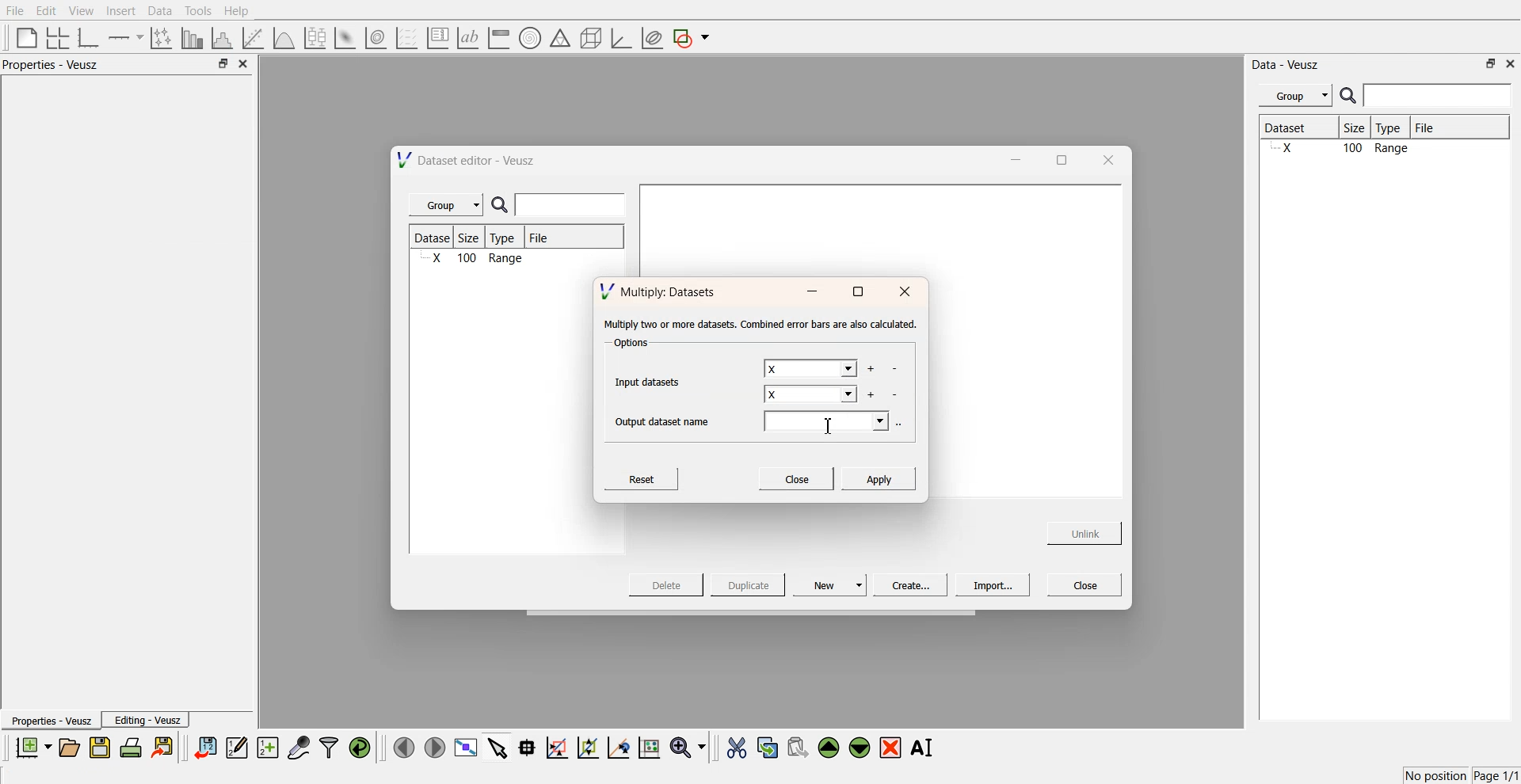  I want to click on move right, so click(434, 746).